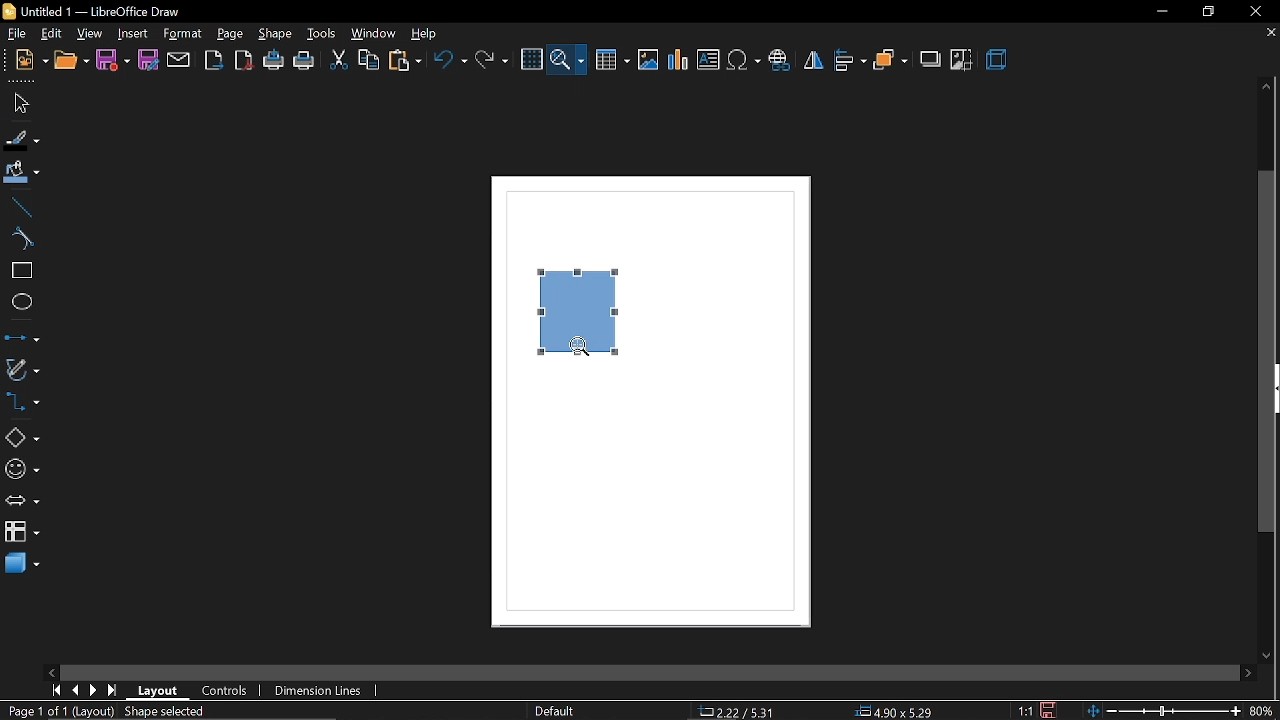 This screenshot has height=720, width=1280. What do you see at coordinates (14, 32) in the screenshot?
I see `file` at bounding box center [14, 32].